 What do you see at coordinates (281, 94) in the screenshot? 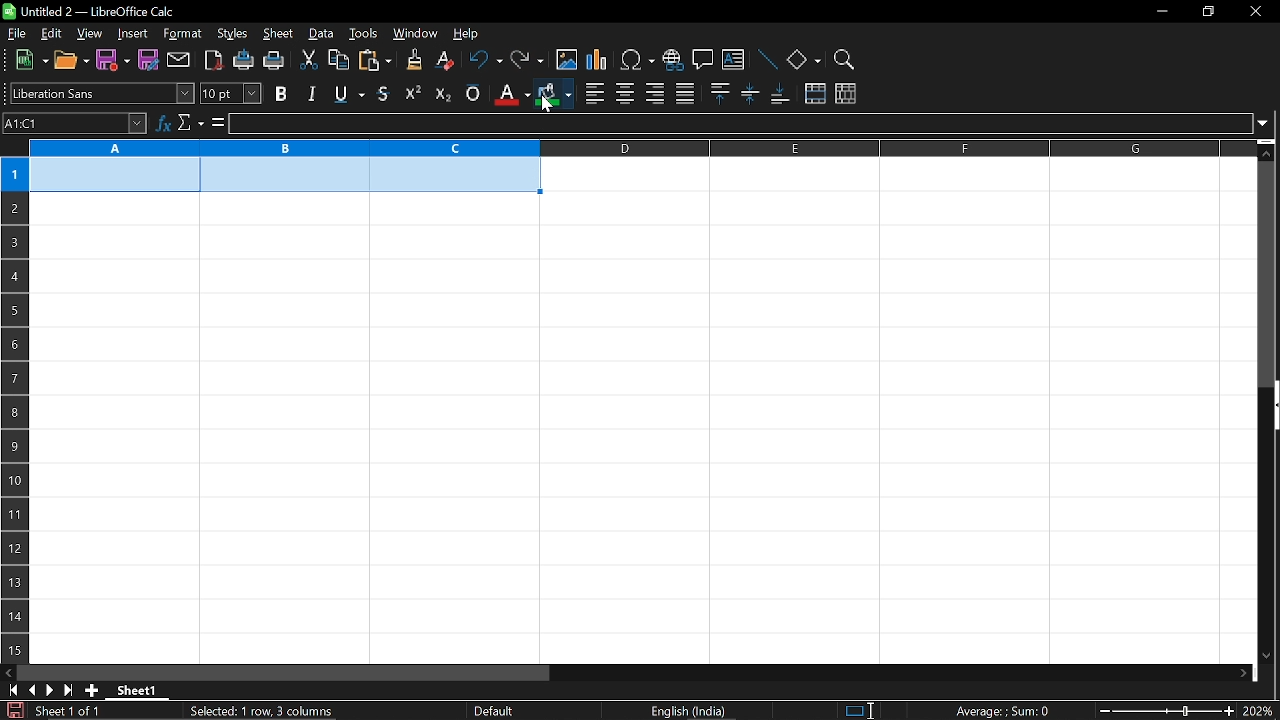
I see `bold` at bounding box center [281, 94].